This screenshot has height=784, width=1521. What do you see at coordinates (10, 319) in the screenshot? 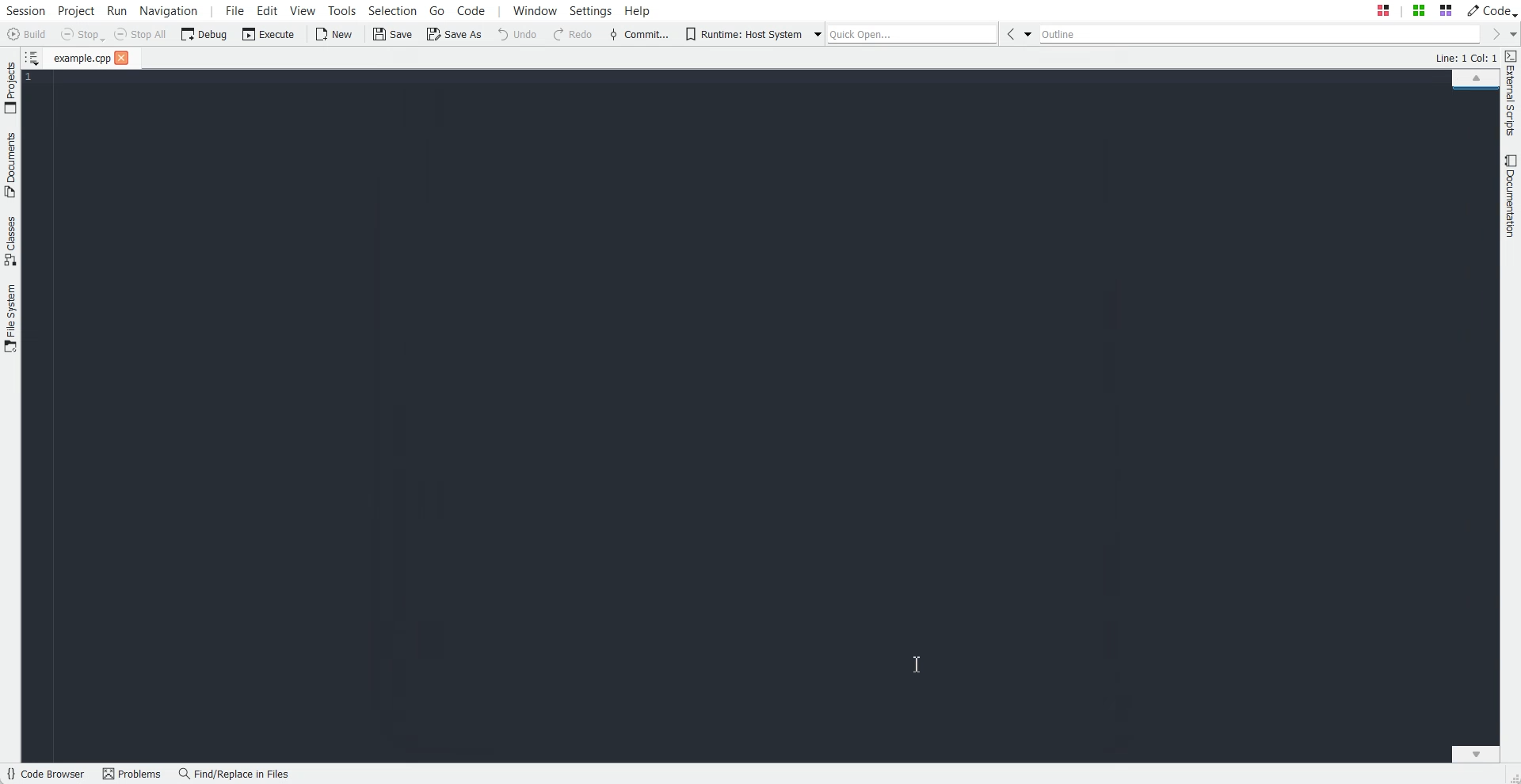
I see `File System` at bounding box center [10, 319].